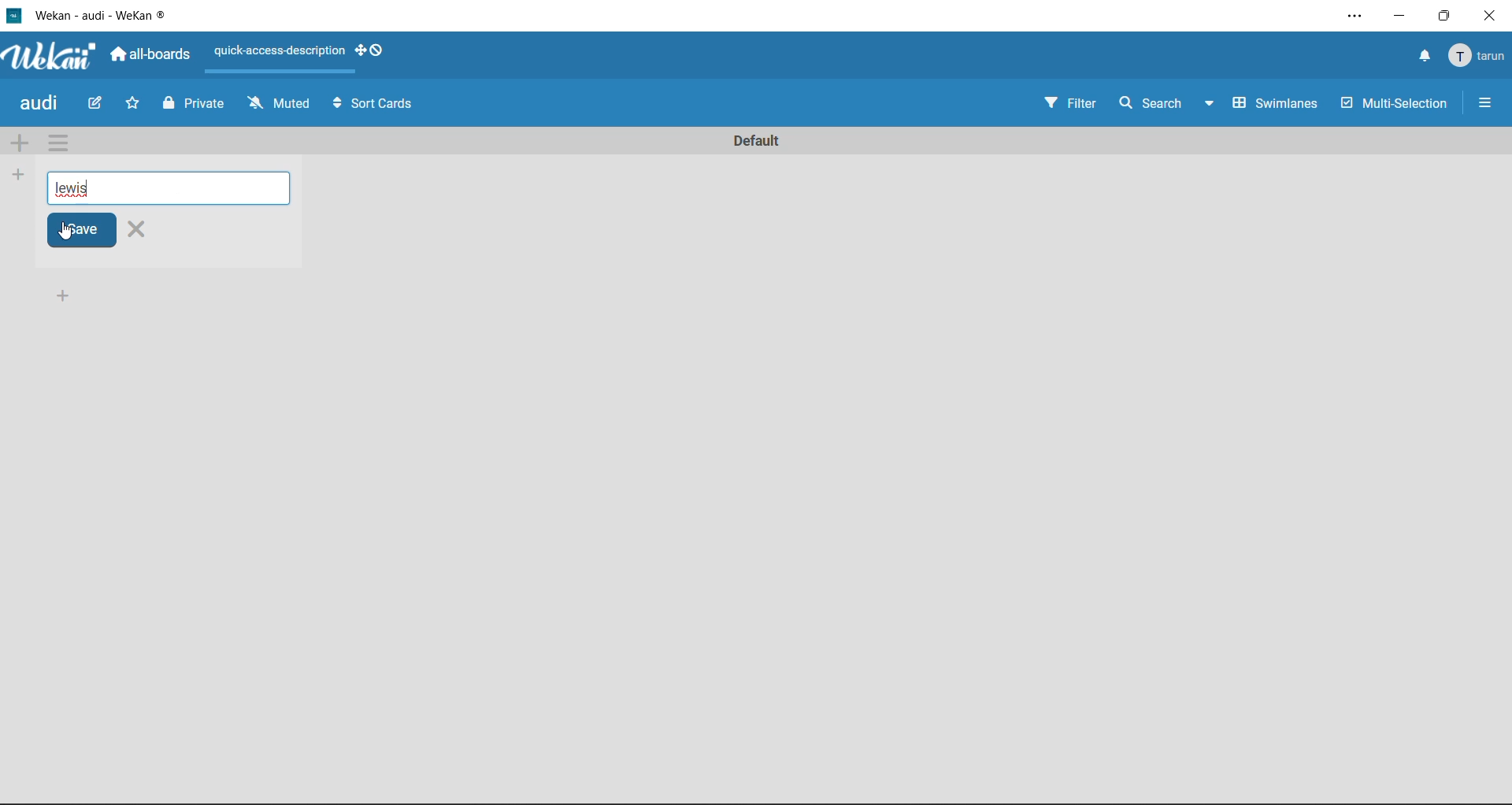  I want to click on add list, so click(19, 174).